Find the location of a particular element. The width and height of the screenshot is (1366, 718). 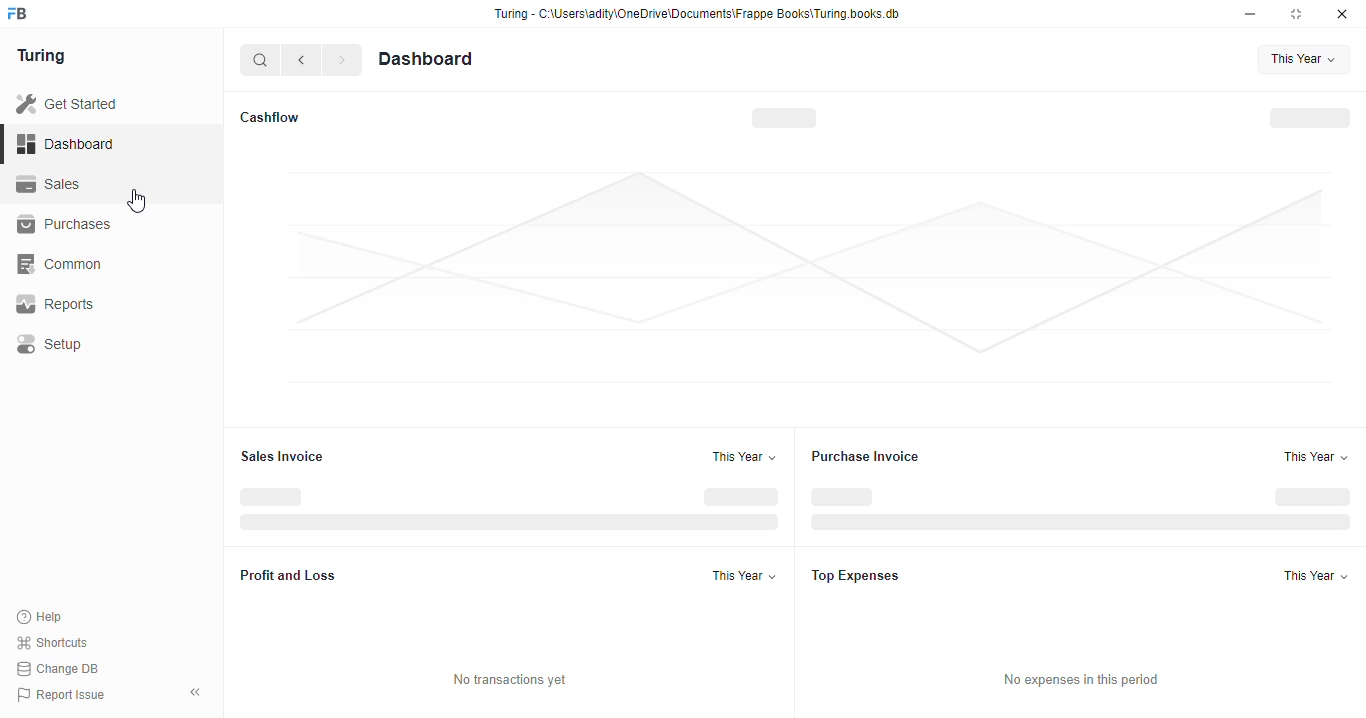

No expenses in this period is located at coordinates (1087, 678).